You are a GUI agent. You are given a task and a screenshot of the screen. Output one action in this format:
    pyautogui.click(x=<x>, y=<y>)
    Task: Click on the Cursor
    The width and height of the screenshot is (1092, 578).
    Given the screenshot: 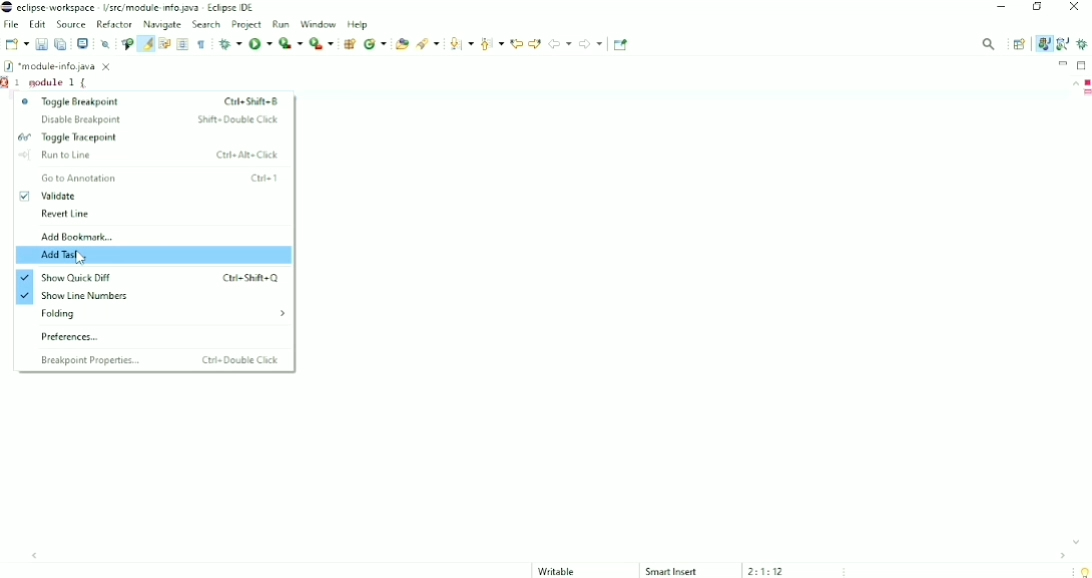 What is the action you would take?
    pyautogui.click(x=84, y=258)
    